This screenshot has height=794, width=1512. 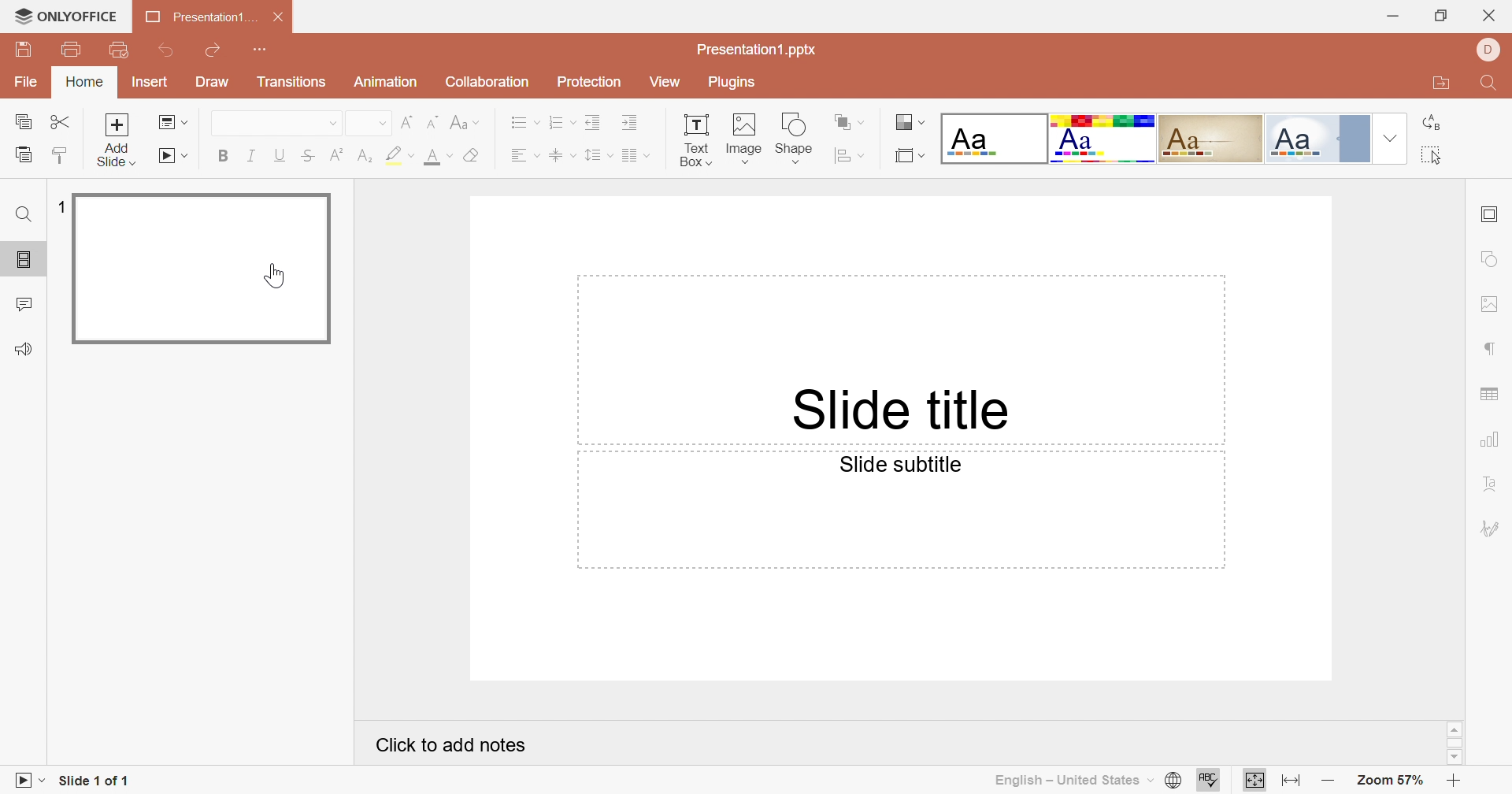 I want to click on Drop Down, so click(x=537, y=122).